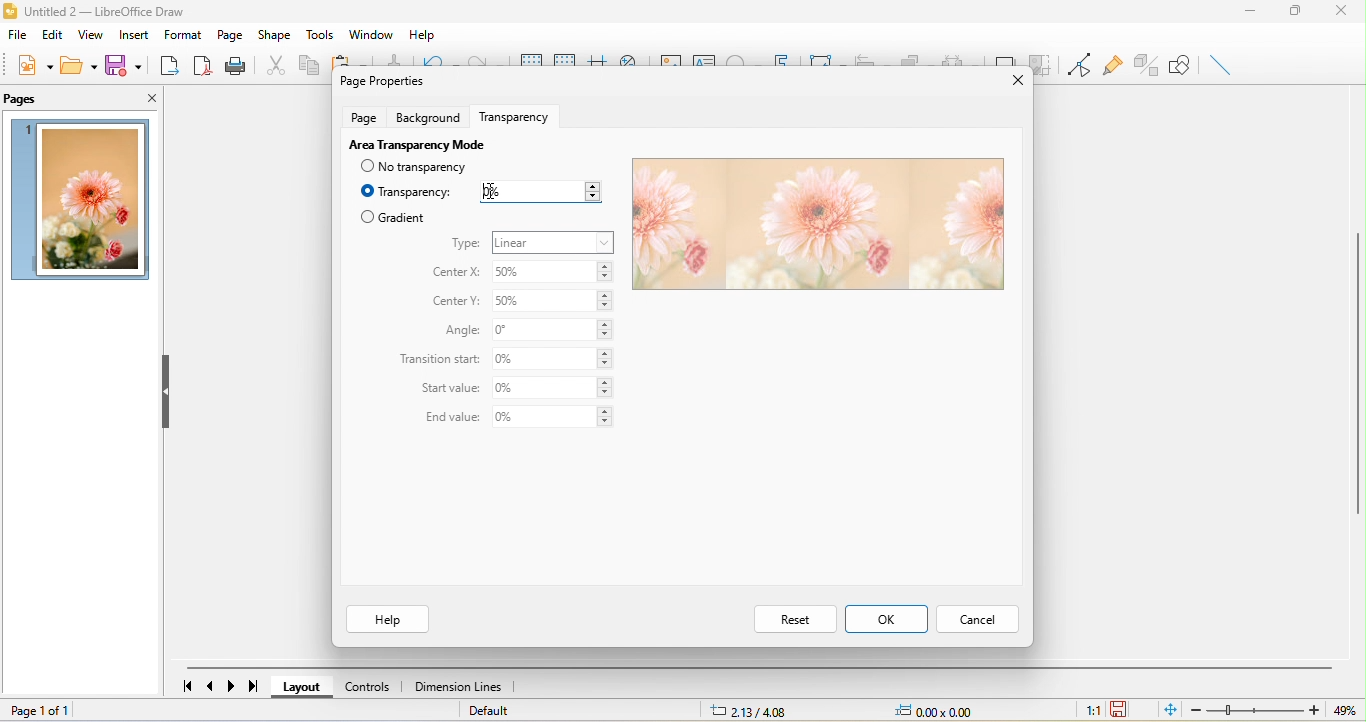 The height and width of the screenshot is (722, 1366). I want to click on cursor movement, so click(494, 190).